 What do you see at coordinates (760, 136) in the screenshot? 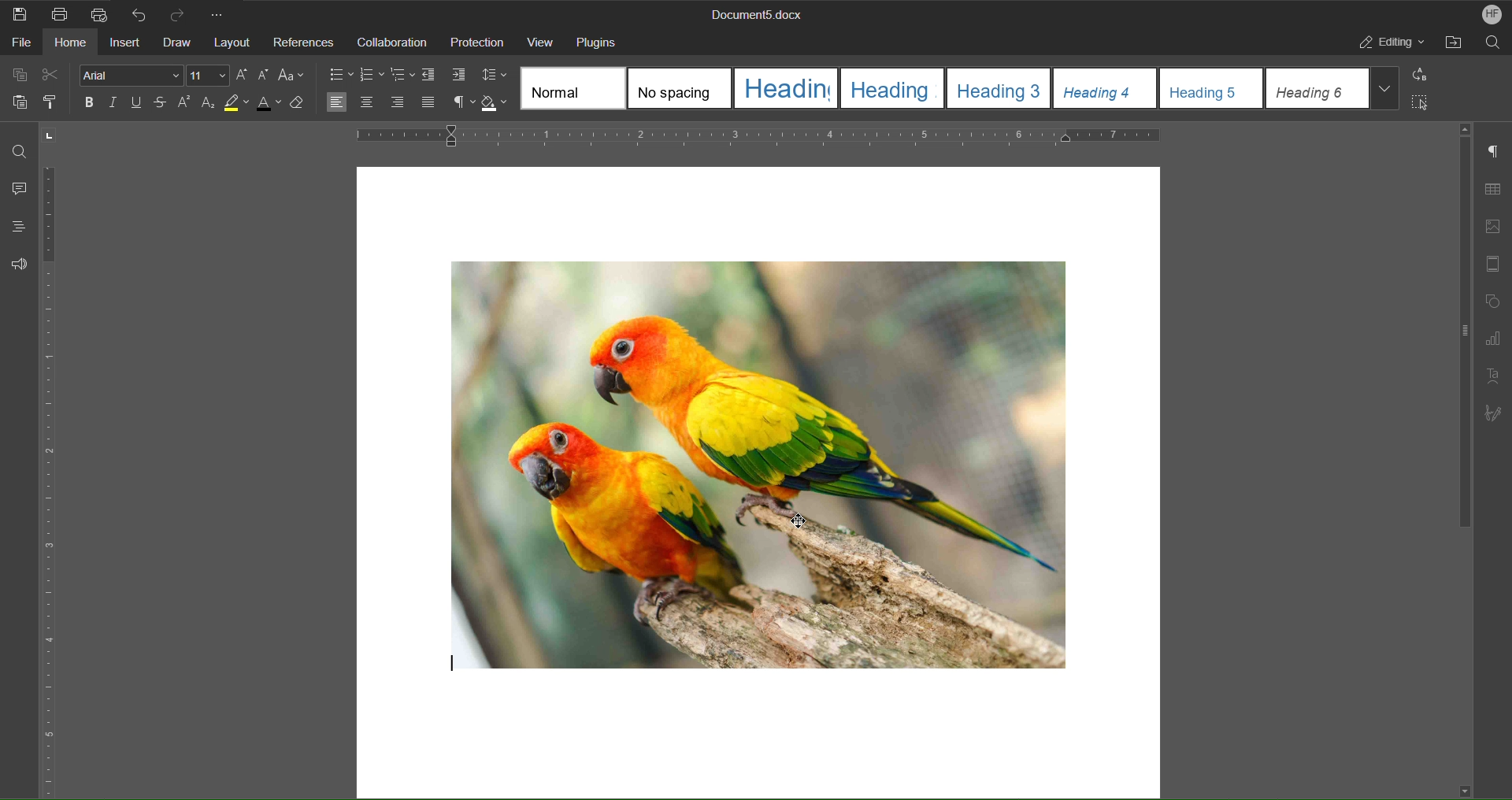
I see `Horizontal Ruler` at bounding box center [760, 136].